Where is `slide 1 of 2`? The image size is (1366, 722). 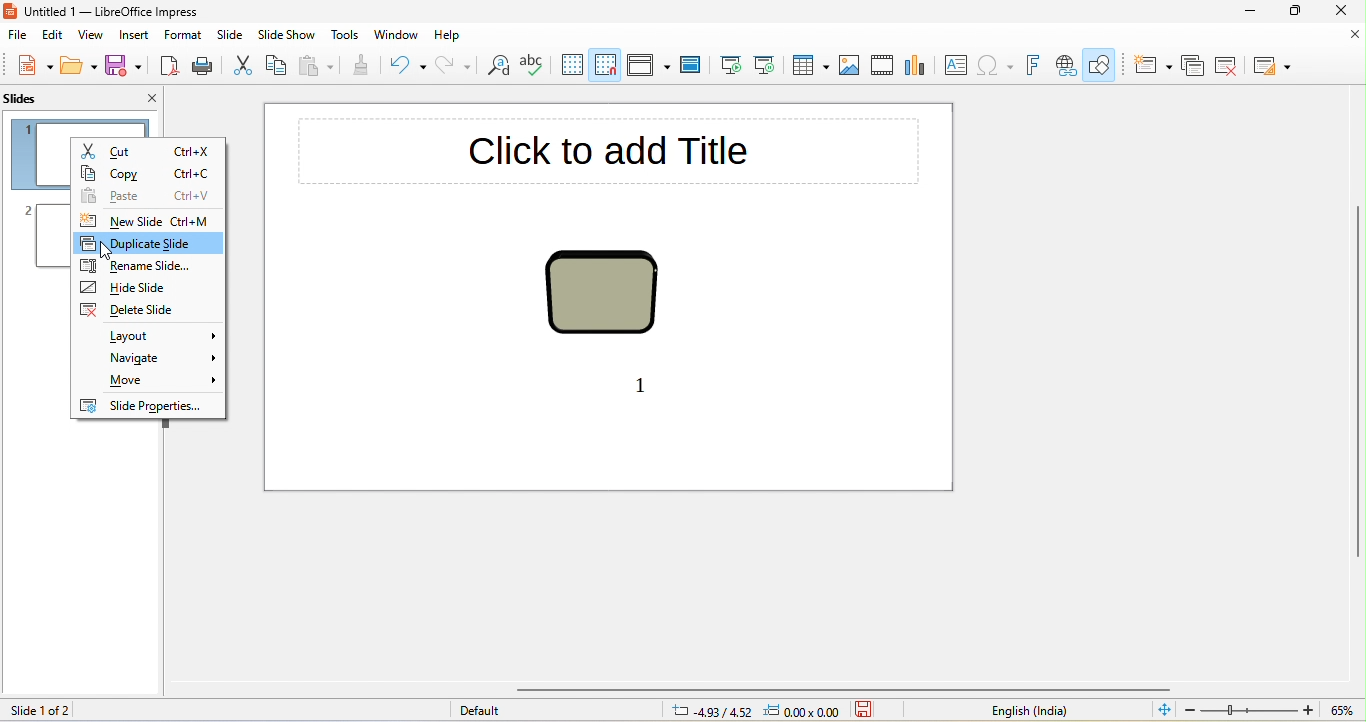 slide 1 of 2 is located at coordinates (75, 711).